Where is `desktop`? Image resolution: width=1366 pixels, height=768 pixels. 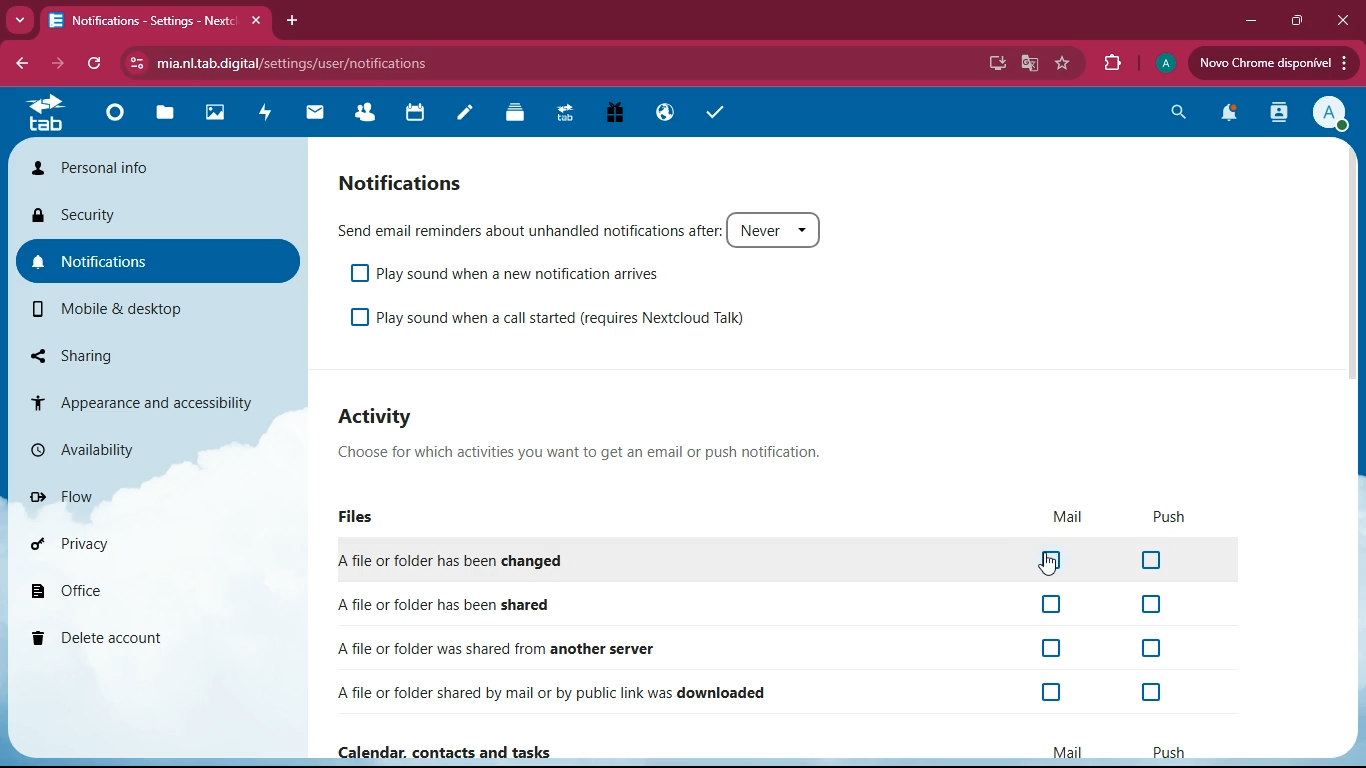
desktop is located at coordinates (1001, 63).